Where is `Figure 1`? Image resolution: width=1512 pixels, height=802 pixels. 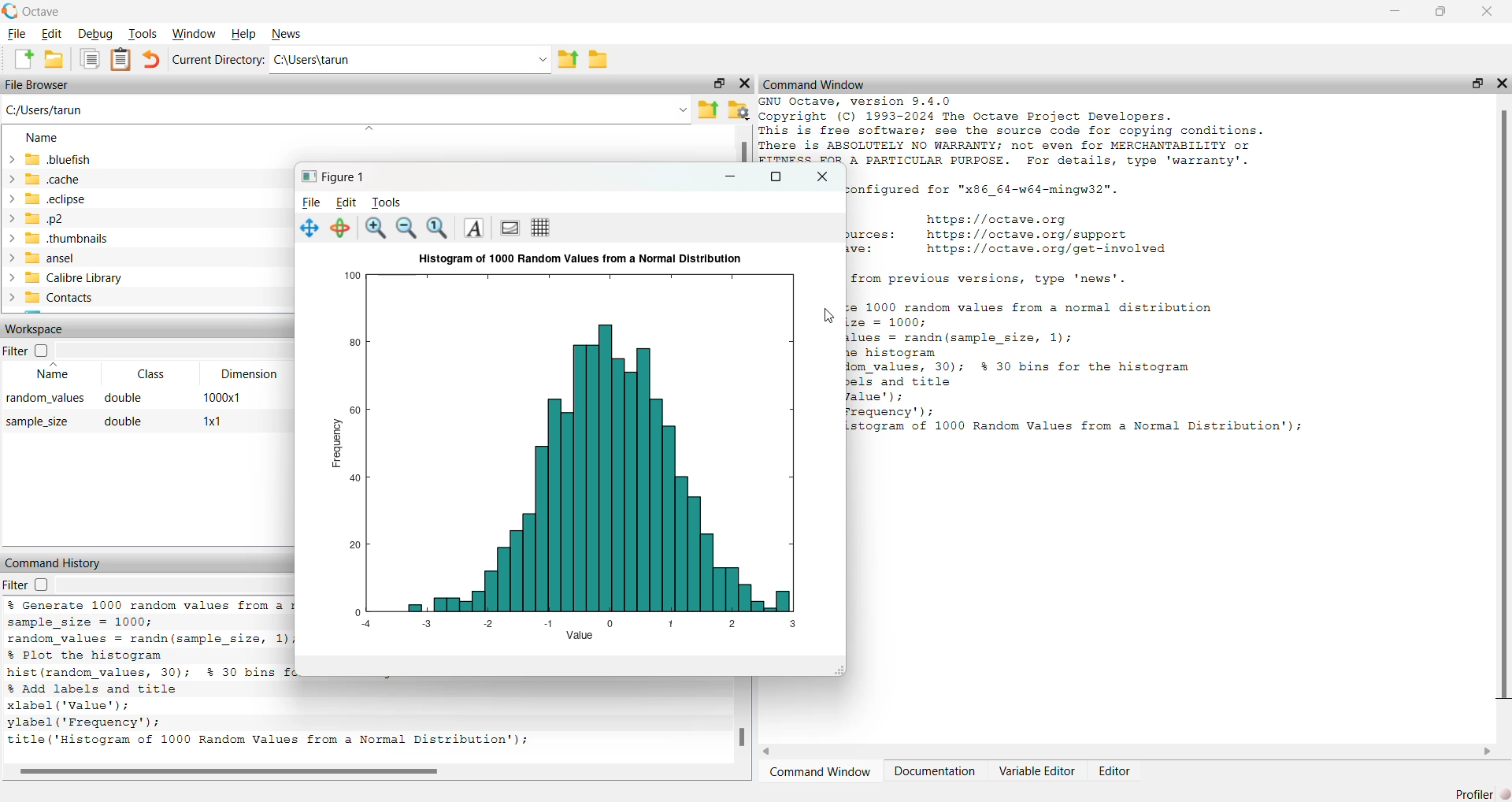
Figure 1 is located at coordinates (331, 176).